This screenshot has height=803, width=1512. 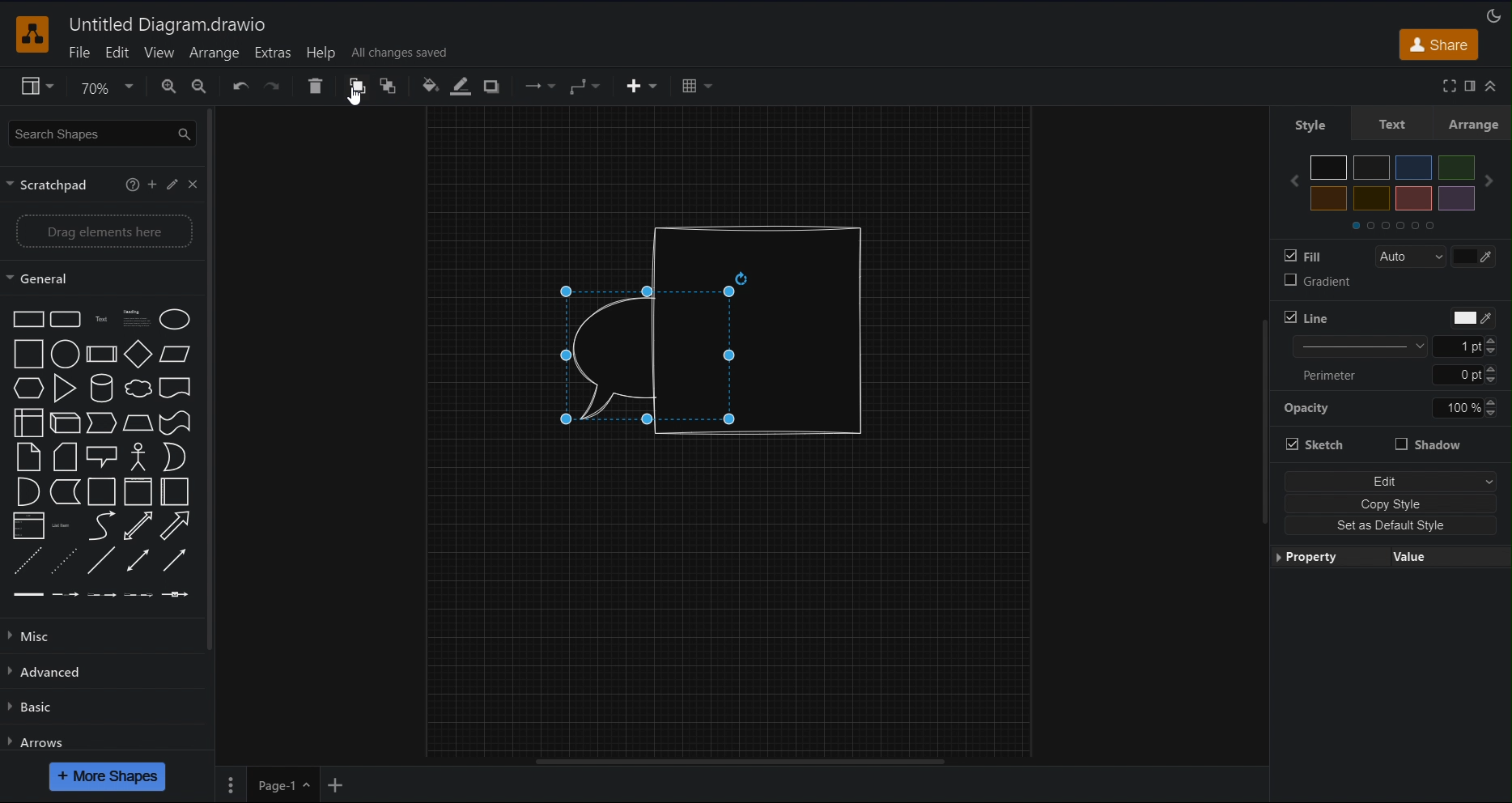 I want to click on Connector with label, so click(x=64, y=595).